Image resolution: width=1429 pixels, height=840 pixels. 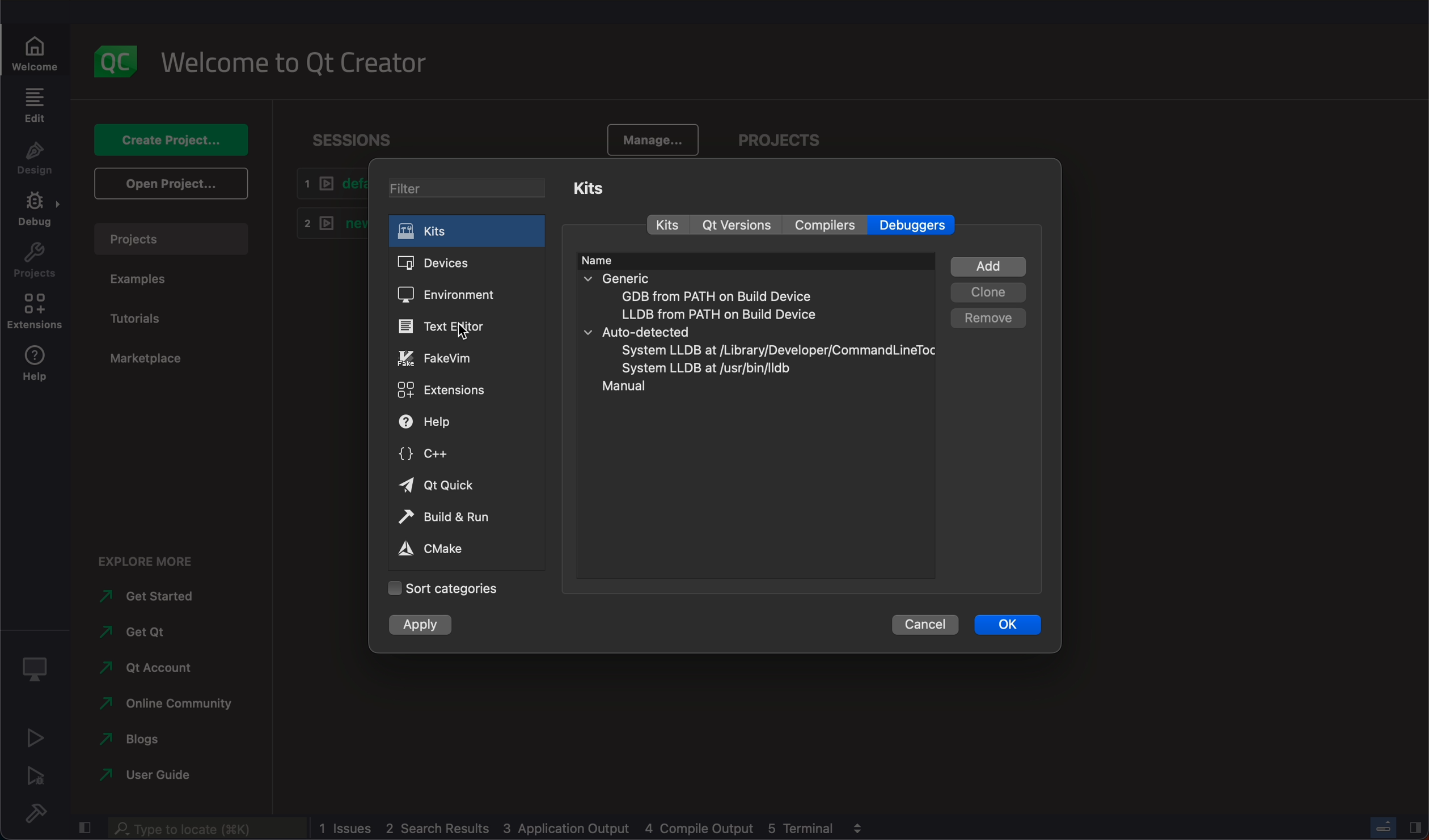 I want to click on debuggers, so click(x=918, y=225).